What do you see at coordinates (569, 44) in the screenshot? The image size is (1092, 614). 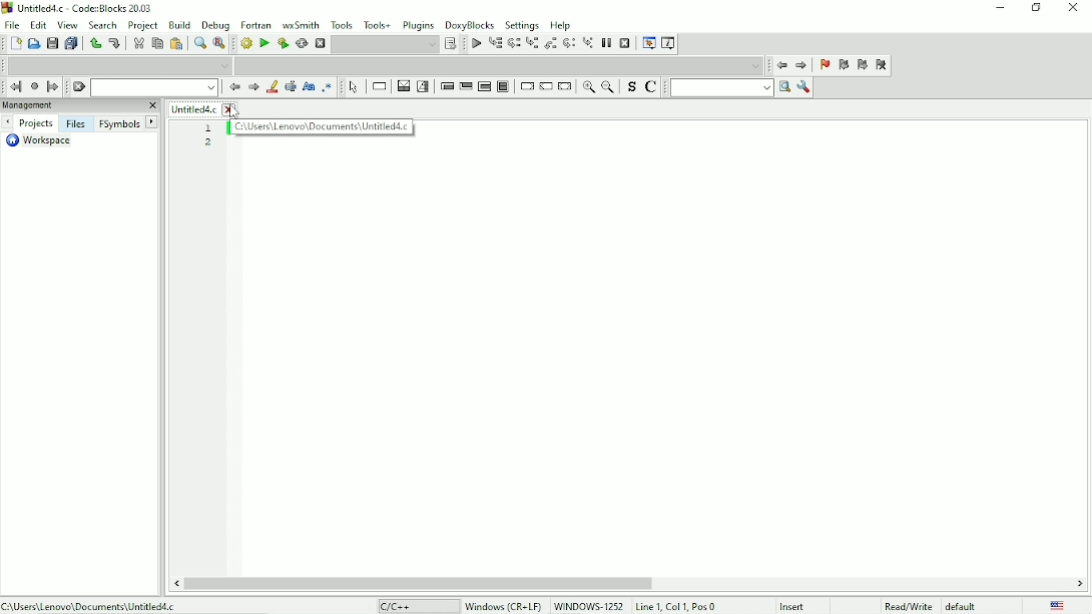 I see `Next instruction` at bounding box center [569, 44].